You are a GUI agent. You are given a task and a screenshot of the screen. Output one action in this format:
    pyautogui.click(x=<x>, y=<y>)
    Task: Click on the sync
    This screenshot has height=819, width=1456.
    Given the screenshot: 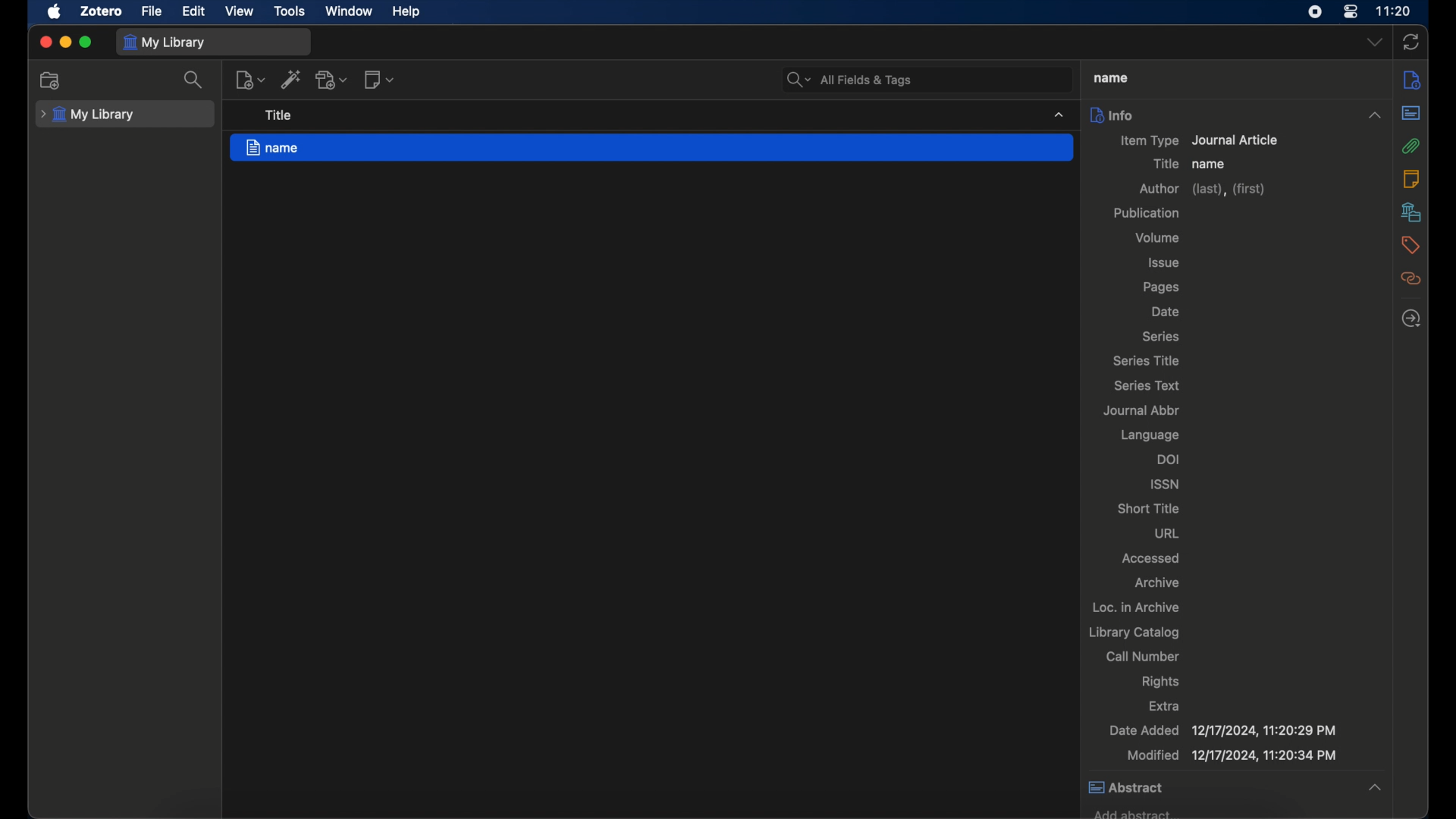 What is the action you would take?
    pyautogui.click(x=1411, y=42)
    